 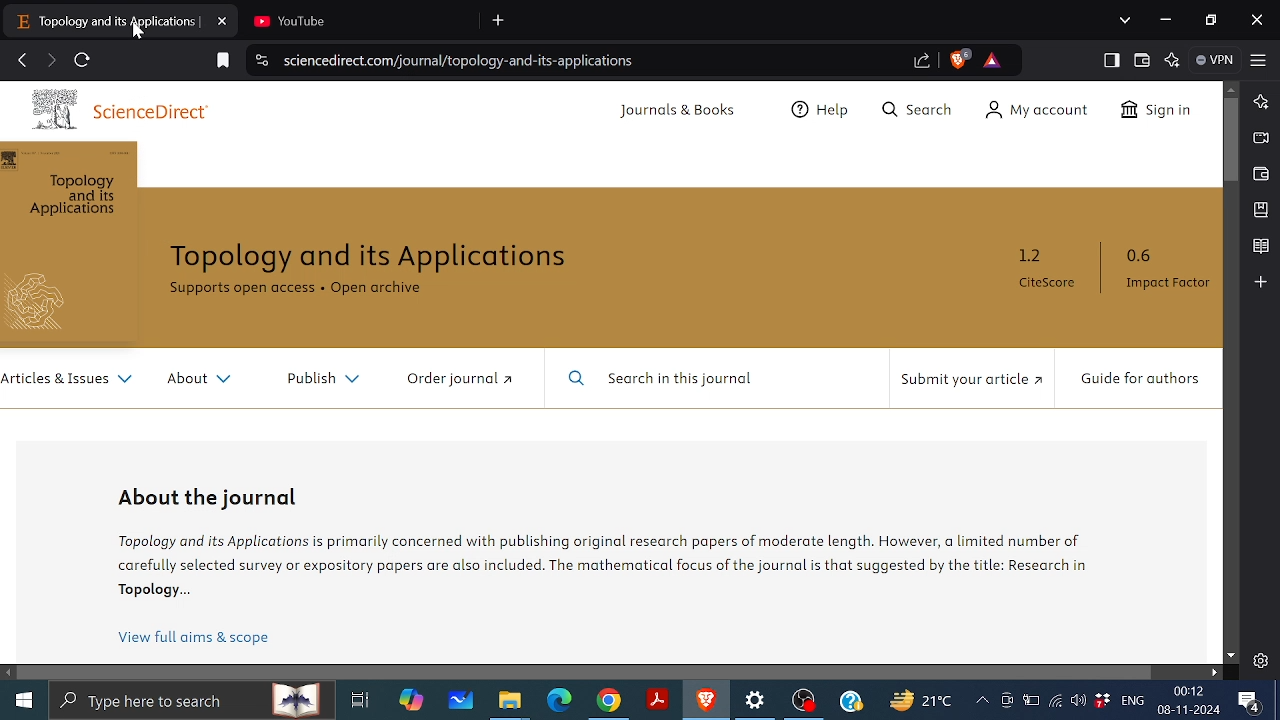 I want to click on Microsoft edge, so click(x=560, y=701).